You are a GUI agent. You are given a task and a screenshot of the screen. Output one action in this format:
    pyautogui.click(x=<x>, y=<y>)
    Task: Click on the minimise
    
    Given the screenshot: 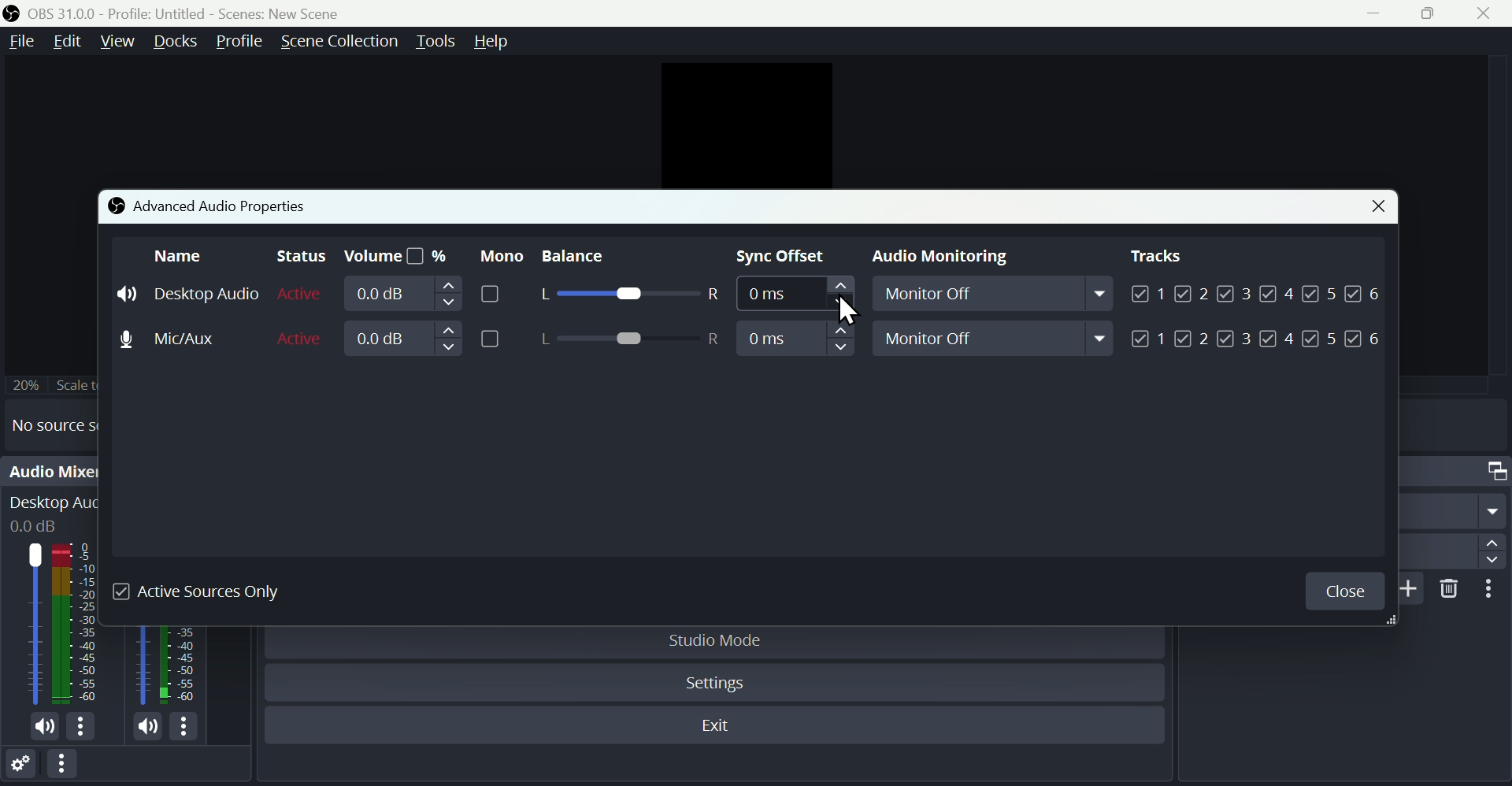 What is the action you would take?
    pyautogui.click(x=1380, y=13)
    